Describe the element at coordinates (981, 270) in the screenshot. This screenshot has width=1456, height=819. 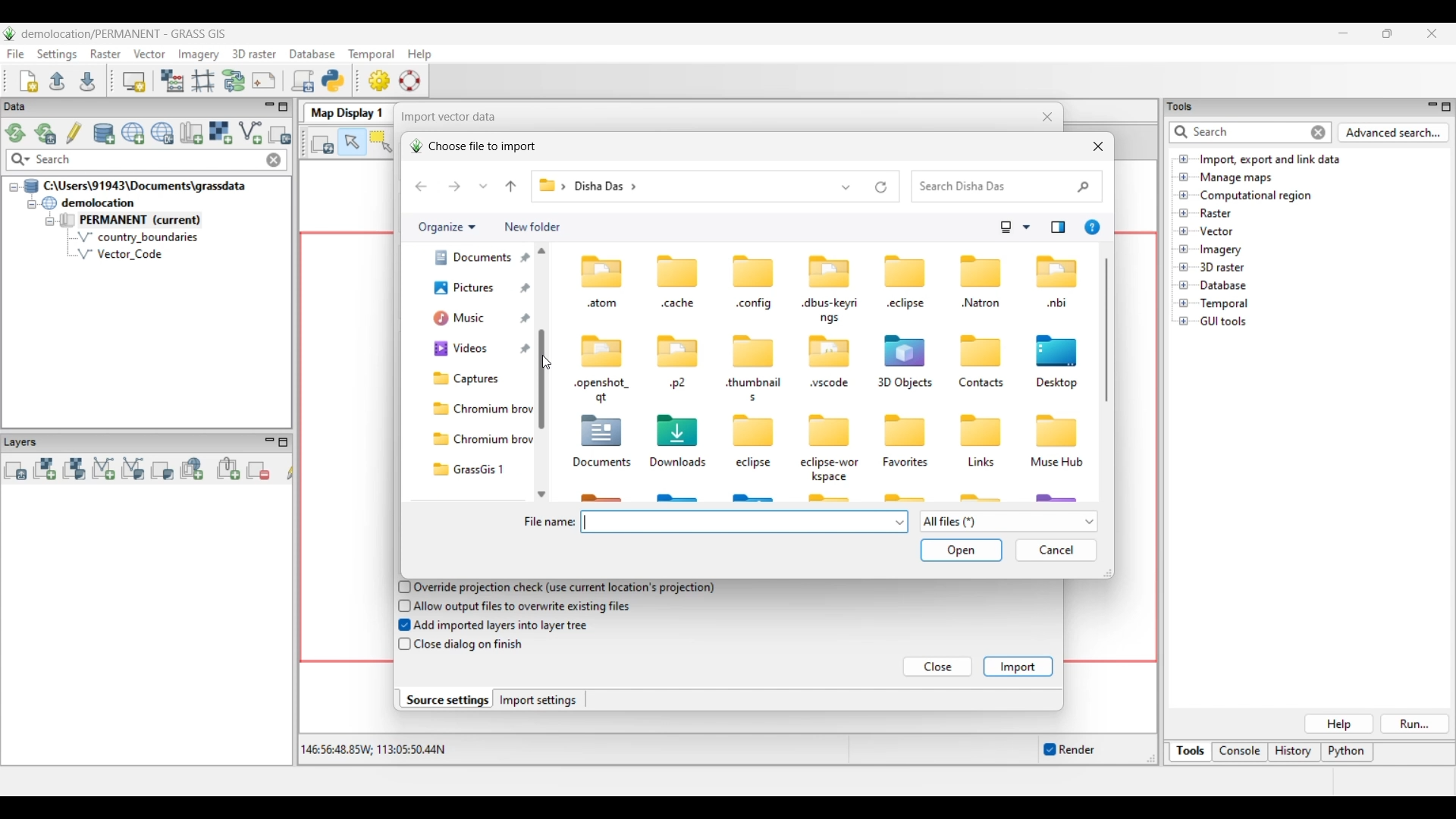
I see `icon` at that location.